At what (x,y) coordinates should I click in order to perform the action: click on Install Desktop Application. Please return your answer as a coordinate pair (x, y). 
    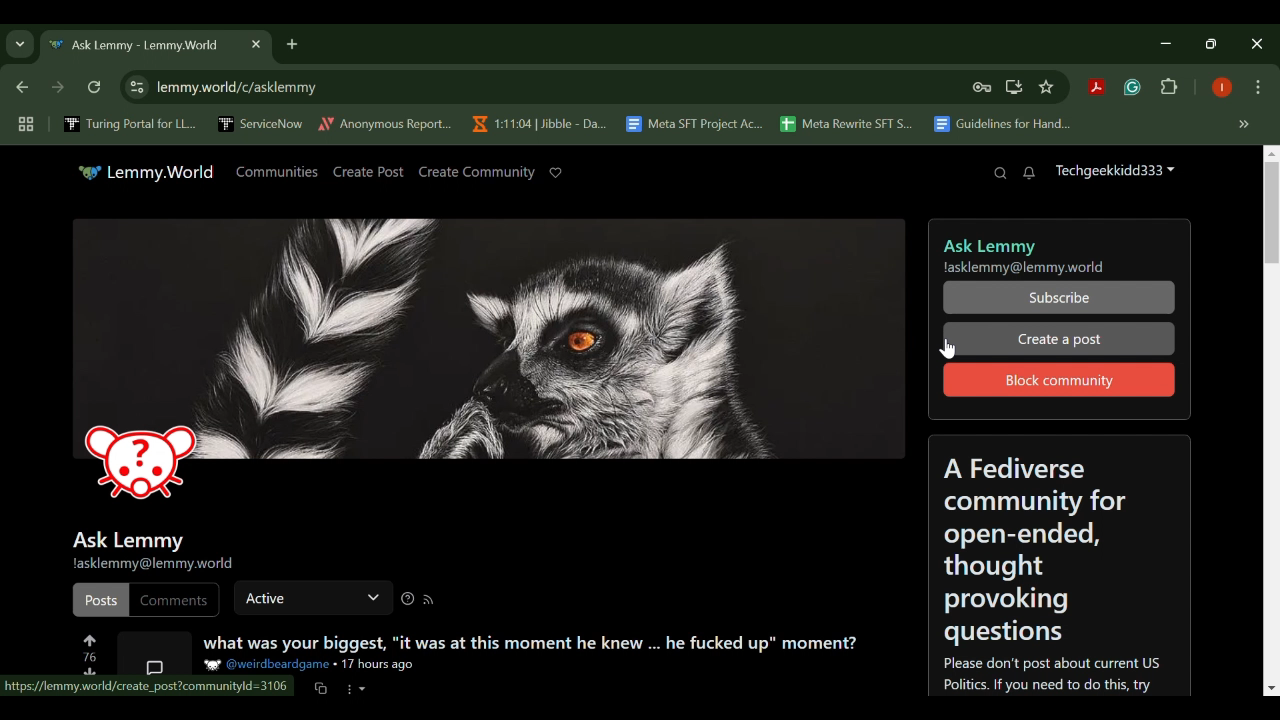
    Looking at the image, I should click on (1013, 87).